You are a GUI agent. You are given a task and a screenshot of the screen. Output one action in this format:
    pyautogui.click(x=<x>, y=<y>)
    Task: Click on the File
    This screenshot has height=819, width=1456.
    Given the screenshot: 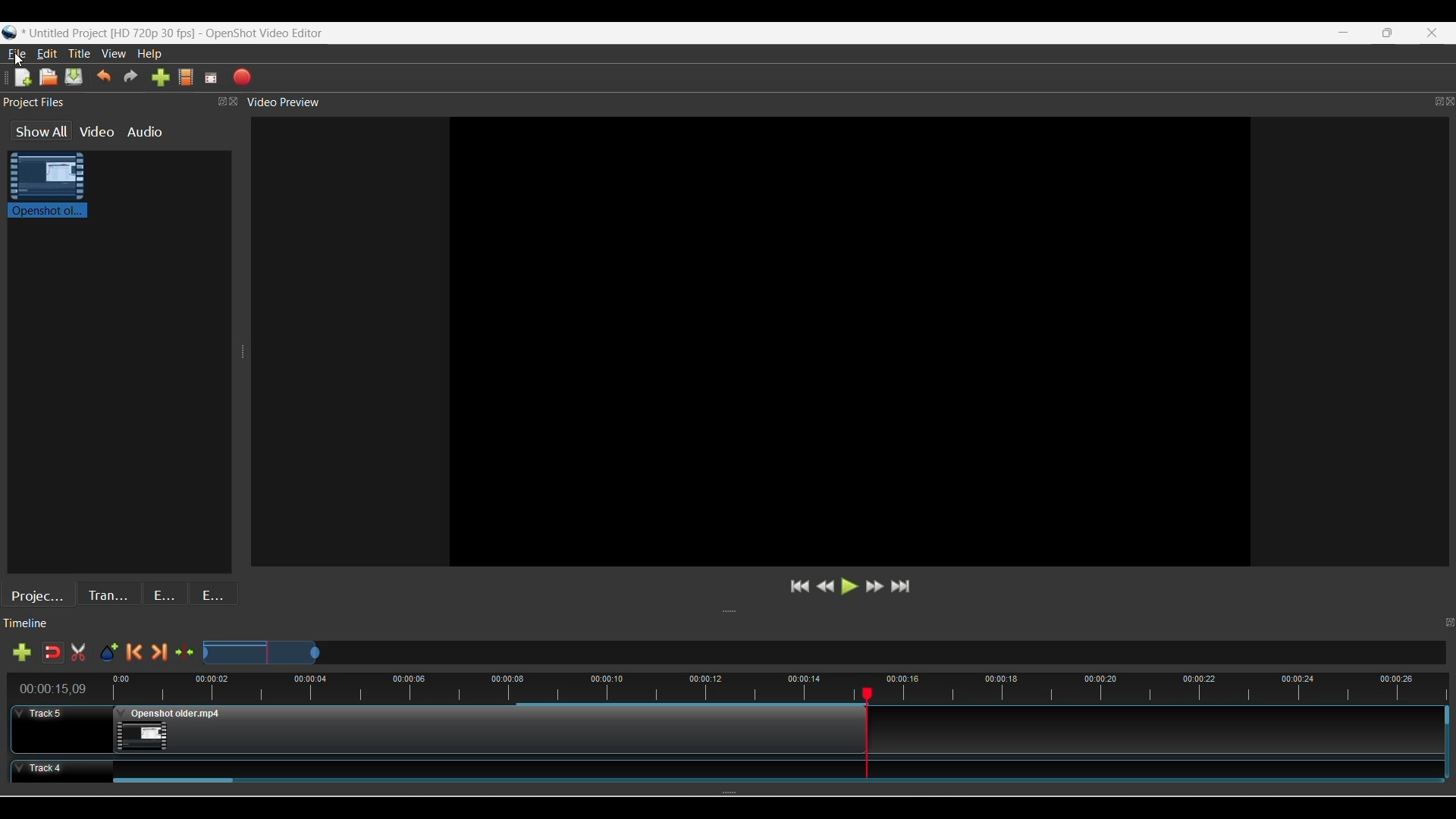 What is the action you would take?
    pyautogui.click(x=17, y=54)
    